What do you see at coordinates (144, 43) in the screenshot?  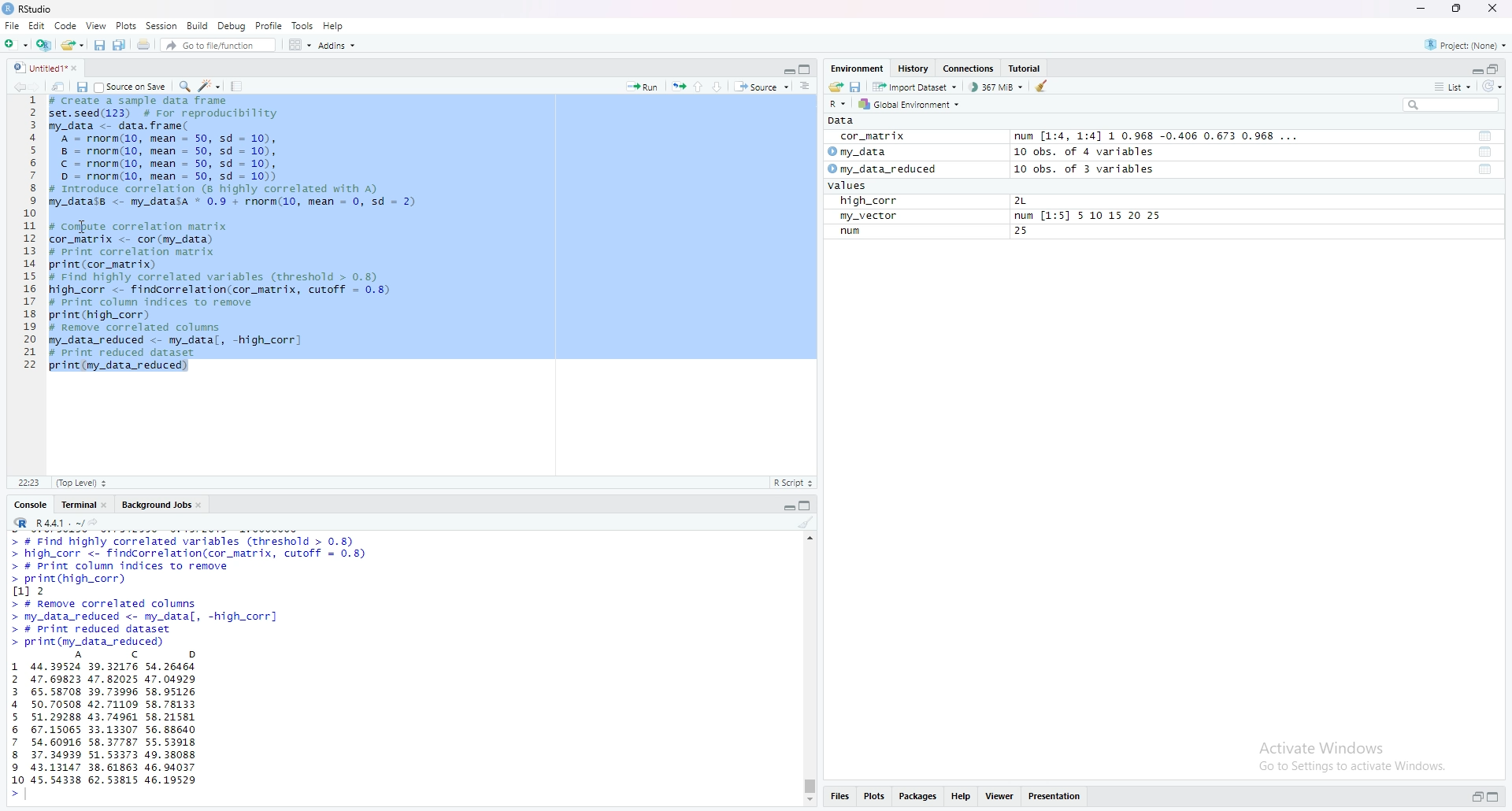 I see `share` at bounding box center [144, 43].